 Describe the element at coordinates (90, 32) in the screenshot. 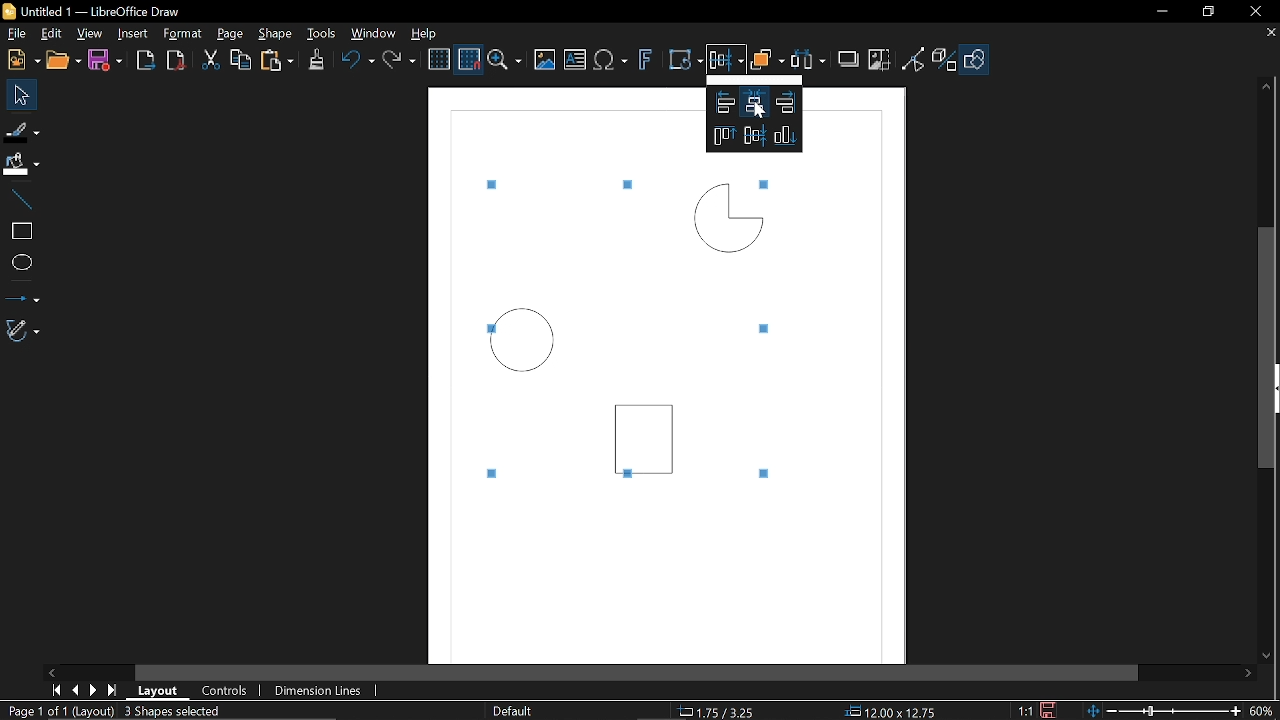

I see `View` at that location.